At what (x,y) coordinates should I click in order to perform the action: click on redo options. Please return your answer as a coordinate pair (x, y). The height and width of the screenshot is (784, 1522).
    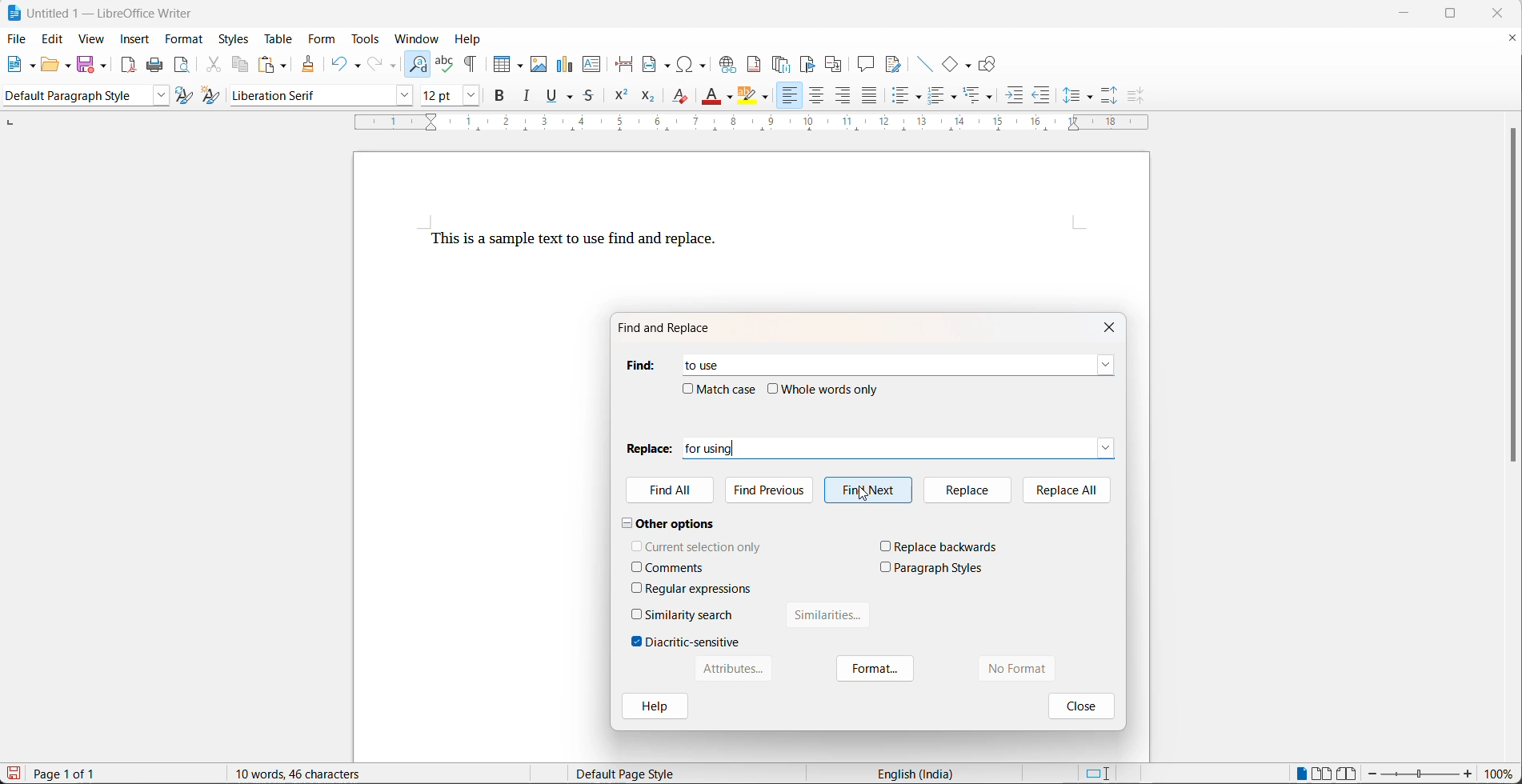
    Looking at the image, I should click on (394, 66).